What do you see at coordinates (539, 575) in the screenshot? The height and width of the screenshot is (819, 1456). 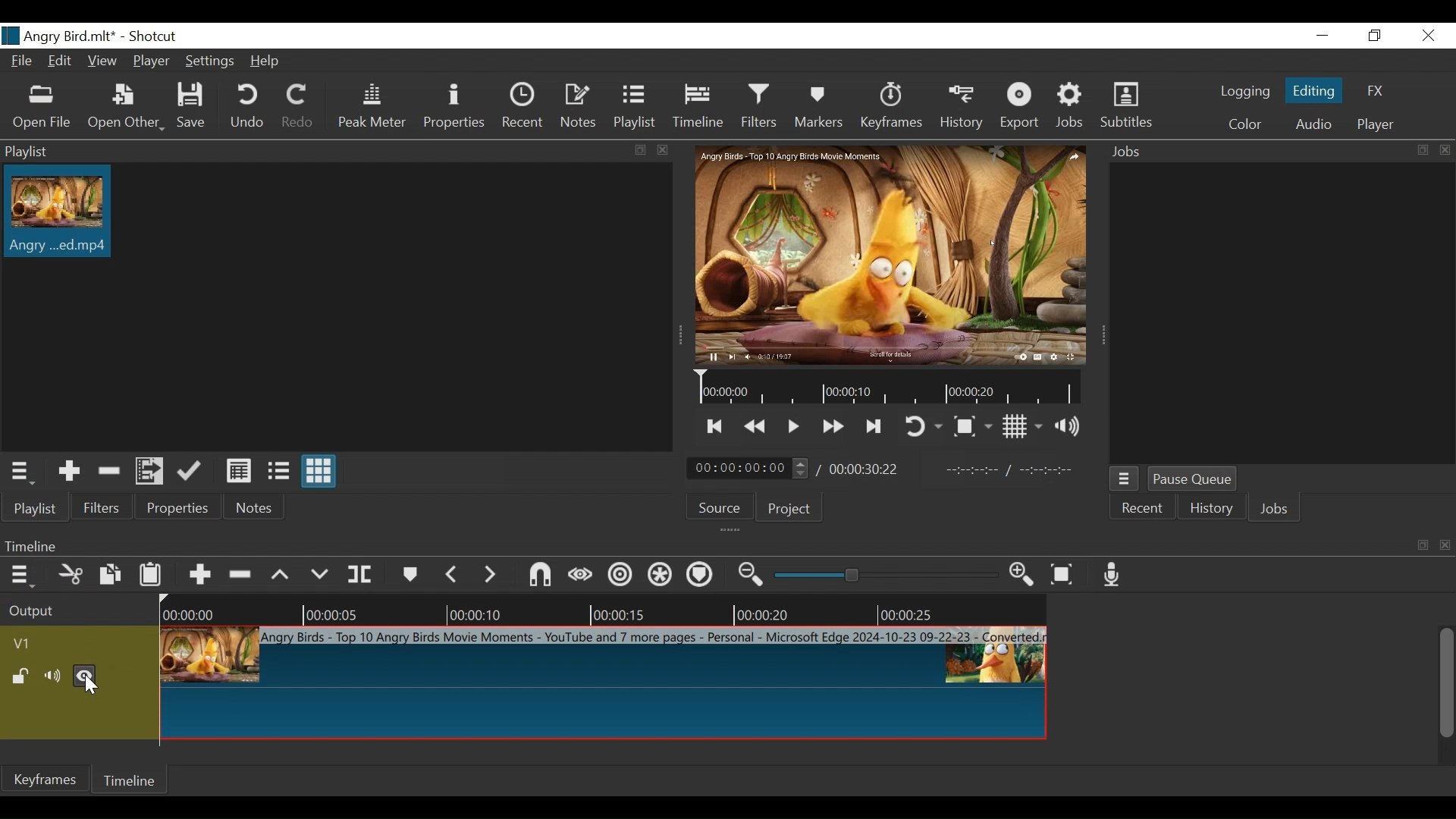 I see `Snap` at bounding box center [539, 575].